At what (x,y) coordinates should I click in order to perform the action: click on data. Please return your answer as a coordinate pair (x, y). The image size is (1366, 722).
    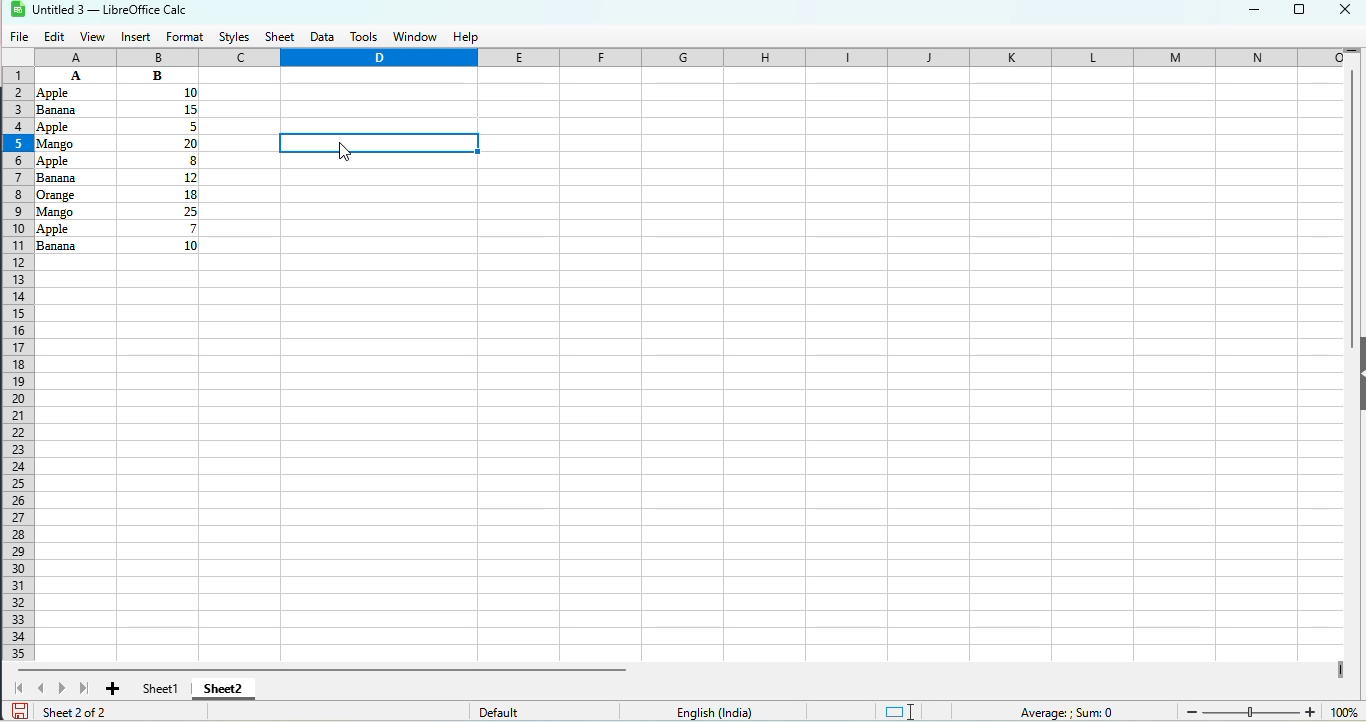
    Looking at the image, I should click on (117, 159).